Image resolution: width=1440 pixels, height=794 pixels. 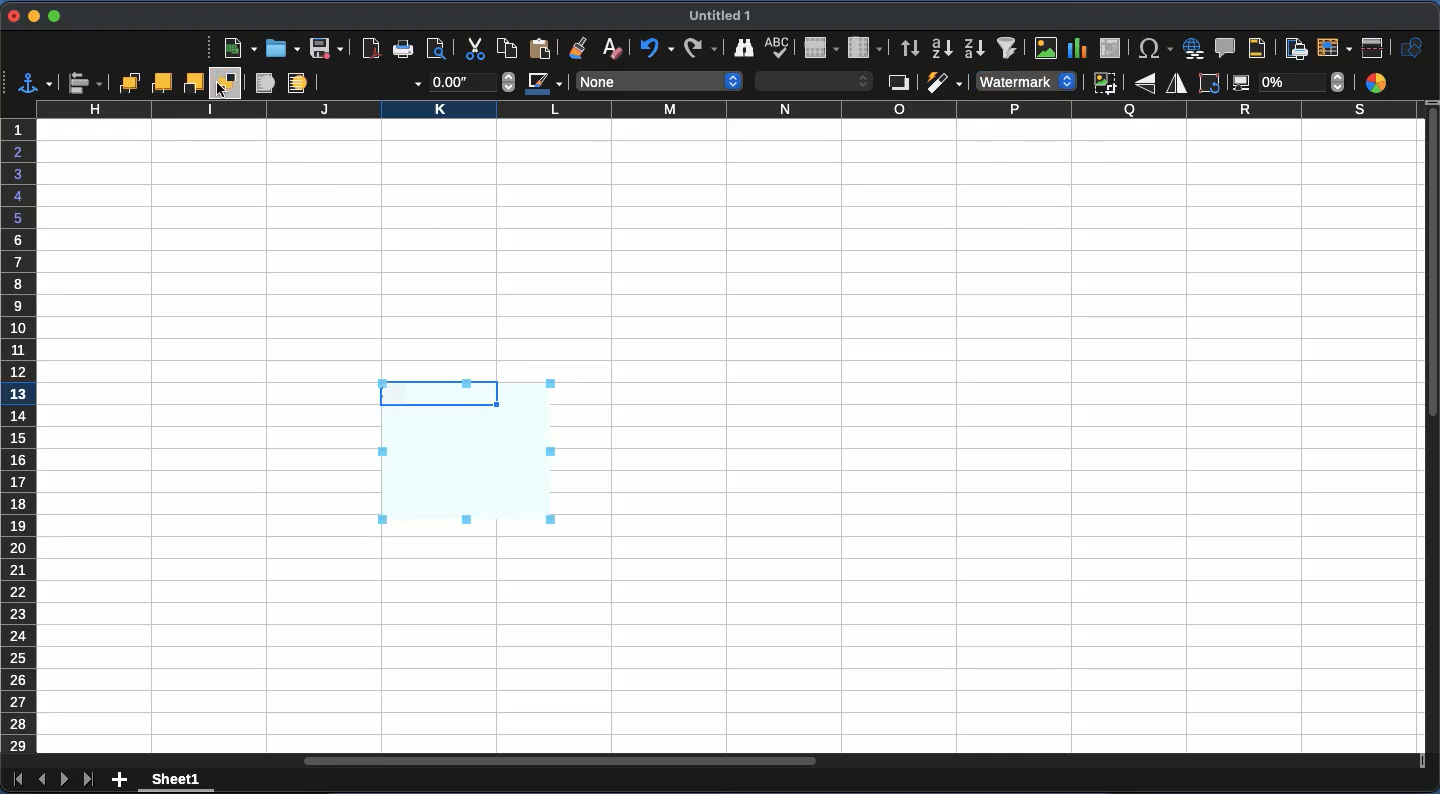 What do you see at coordinates (1372, 49) in the screenshot?
I see `split window` at bounding box center [1372, 49].